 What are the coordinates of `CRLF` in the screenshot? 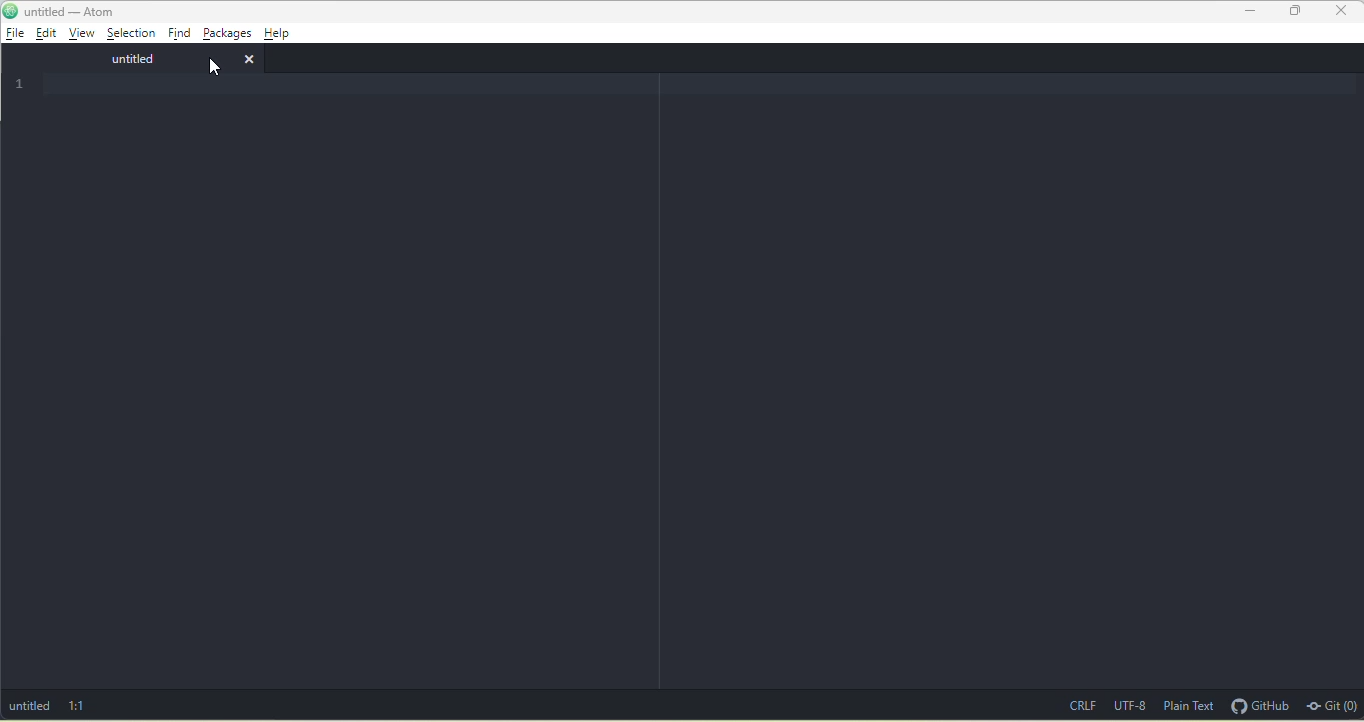 It's located at (1078, 704).